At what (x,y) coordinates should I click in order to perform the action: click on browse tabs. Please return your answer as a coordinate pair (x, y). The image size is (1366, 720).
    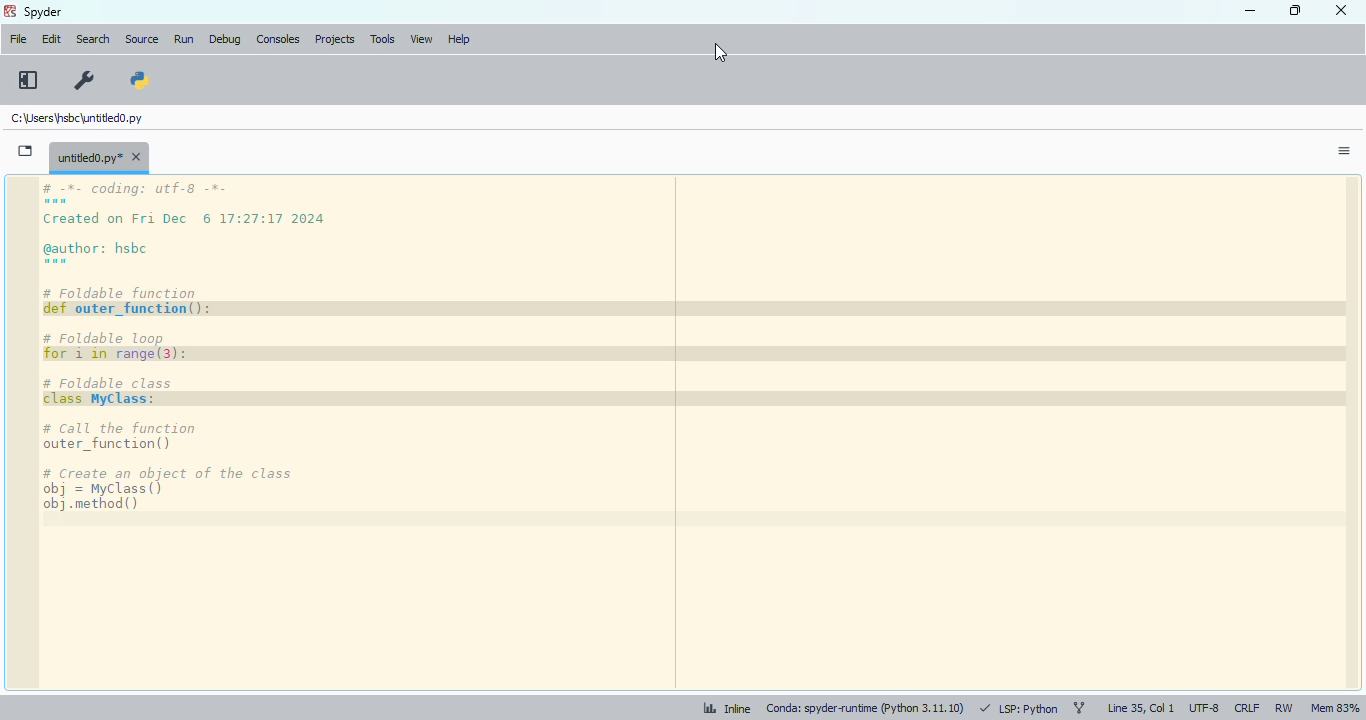
    Looking at the image, I should click on (26, 151).